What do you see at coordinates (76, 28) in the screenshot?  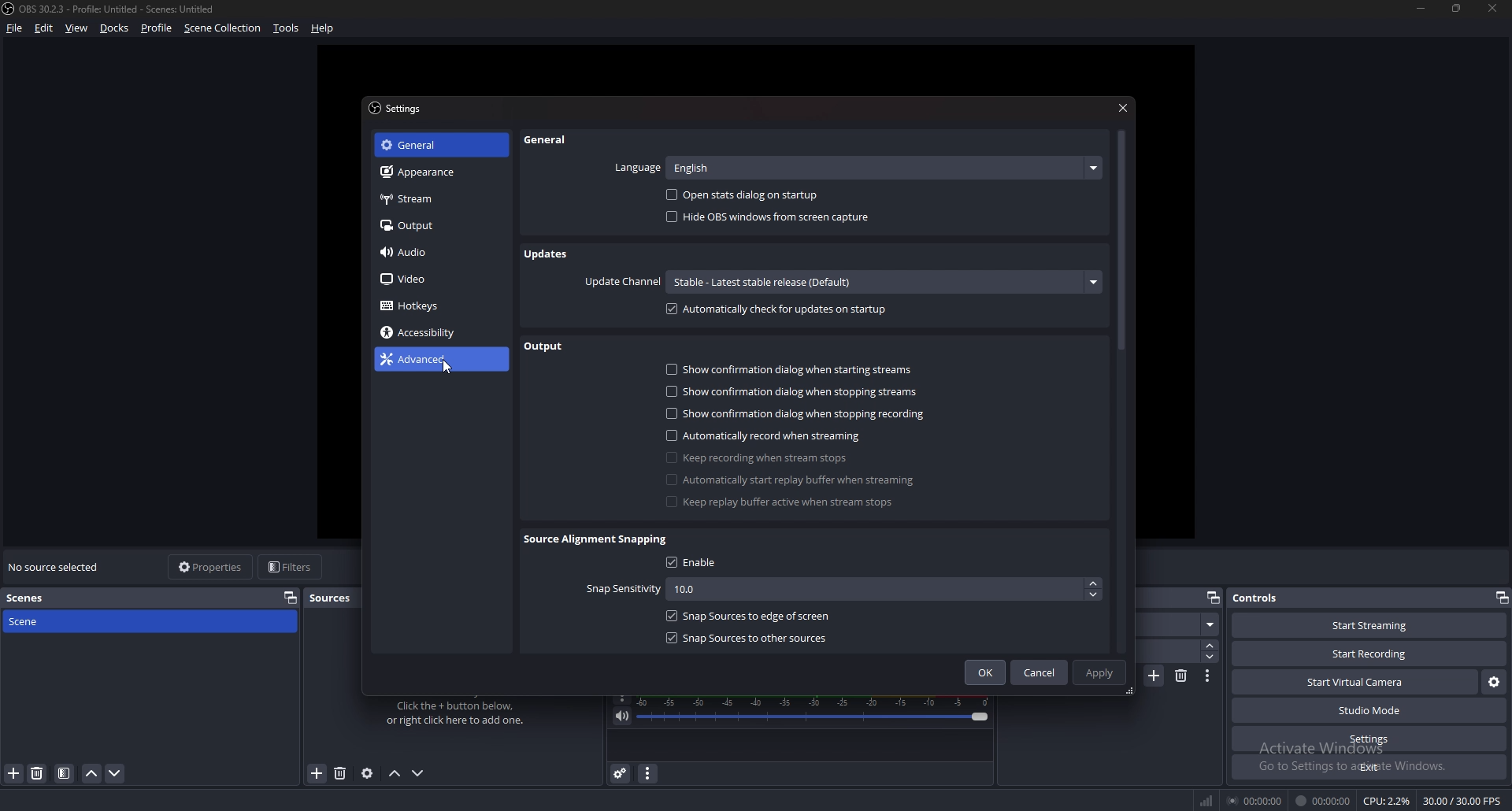 I see `view` at bounding box center [76, 28].